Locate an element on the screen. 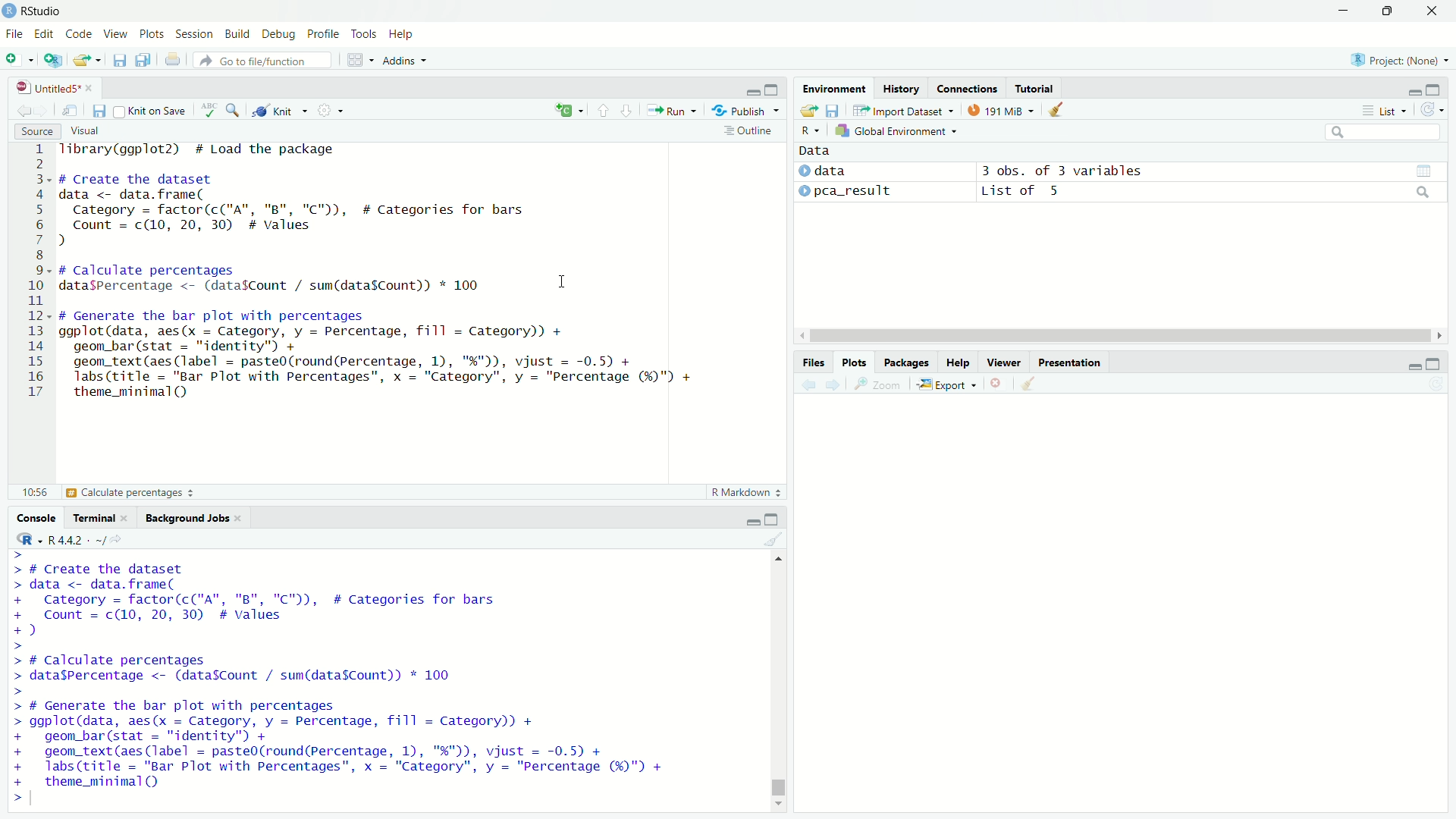  selected project: None is located at coordinates (1401, 60).